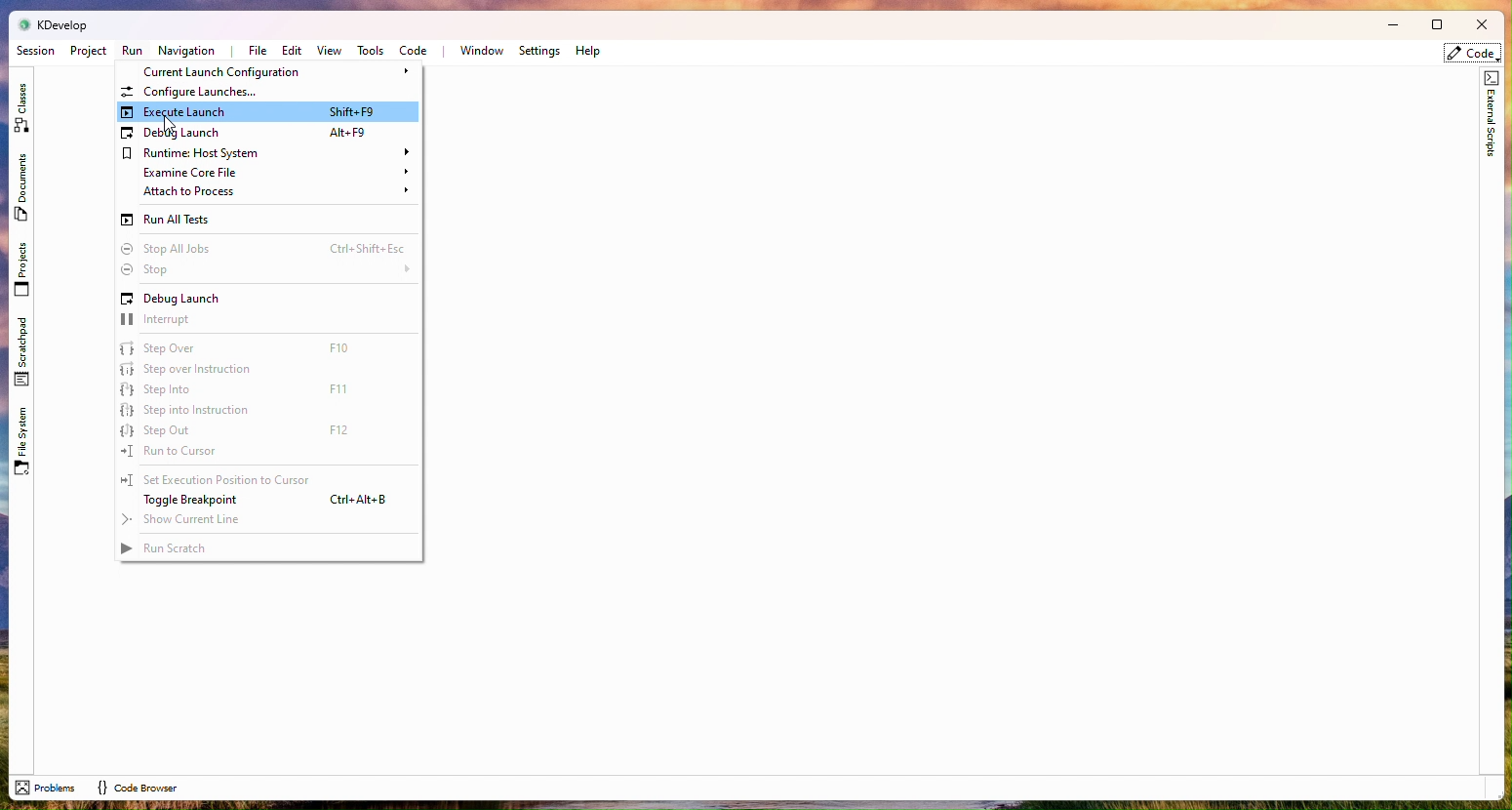  I want to click on problems, so click(46, 788).